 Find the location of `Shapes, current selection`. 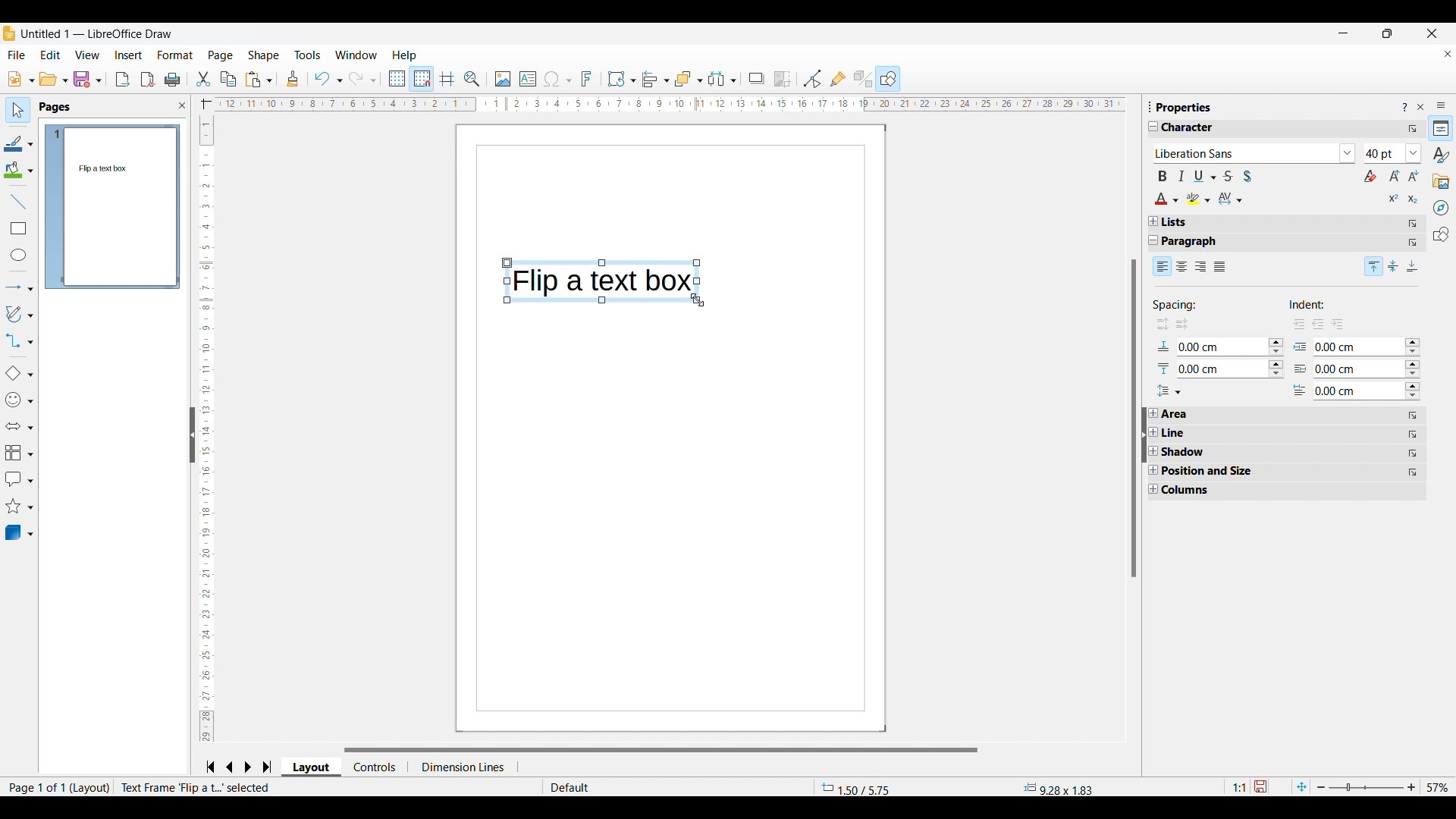

Shapes, current selection is located at coordinates (888, 79).